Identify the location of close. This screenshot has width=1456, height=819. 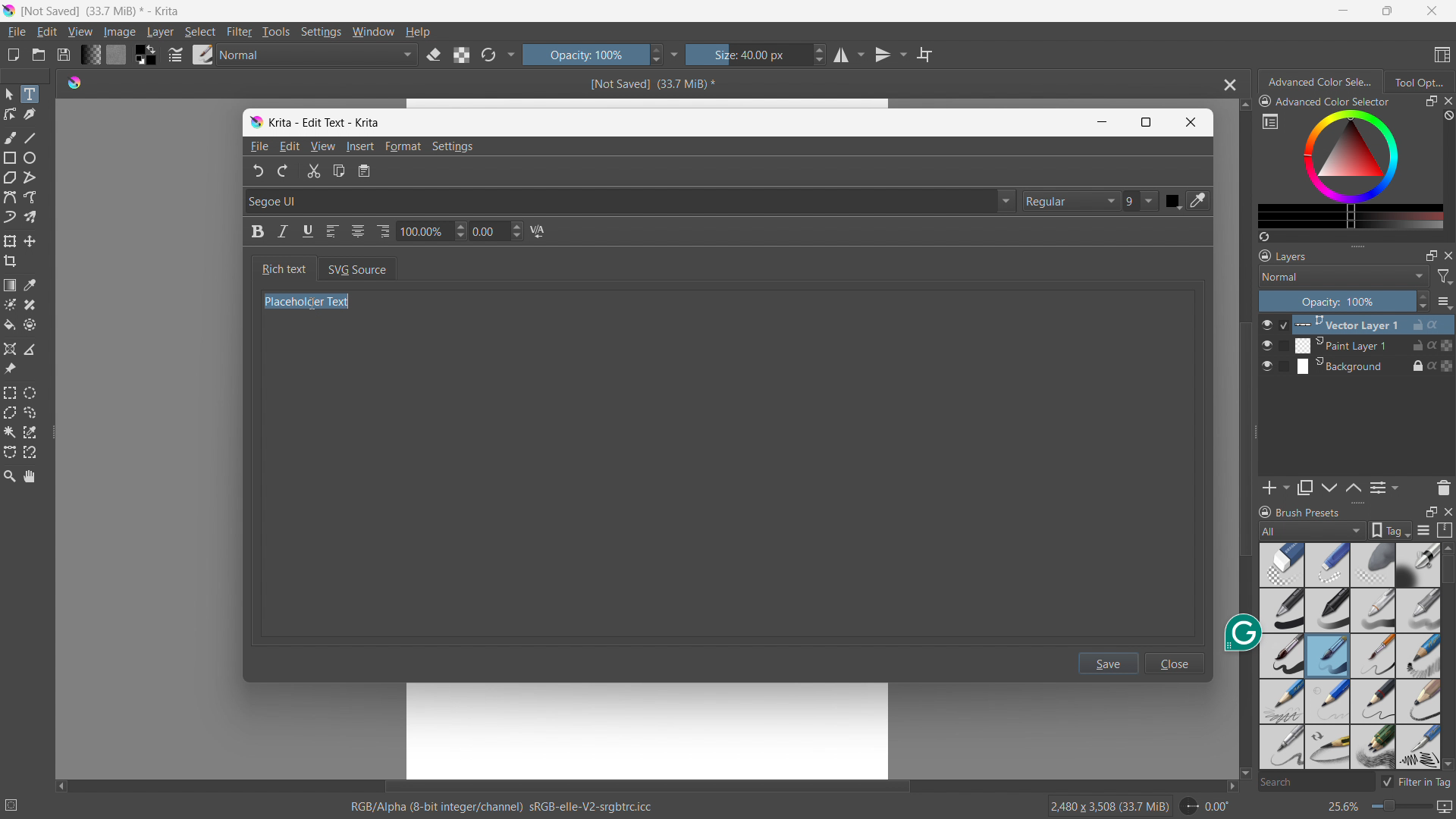
(1432, 11).